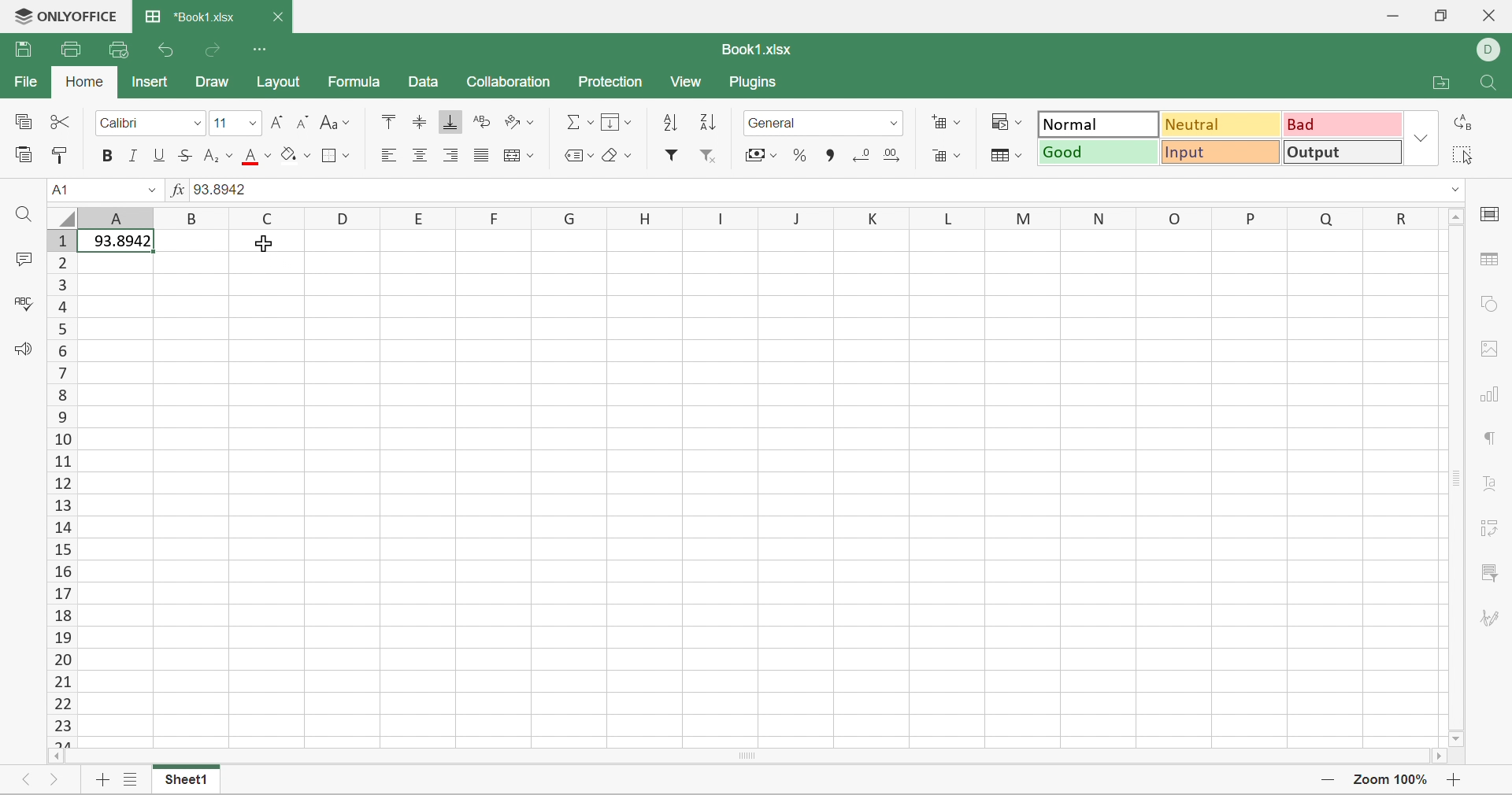 This screenshot has width=1512, height=795. What do you see at coordinates (1489, 14) in the screenshot?
I see `Close` at bounding box center [1489, 14].